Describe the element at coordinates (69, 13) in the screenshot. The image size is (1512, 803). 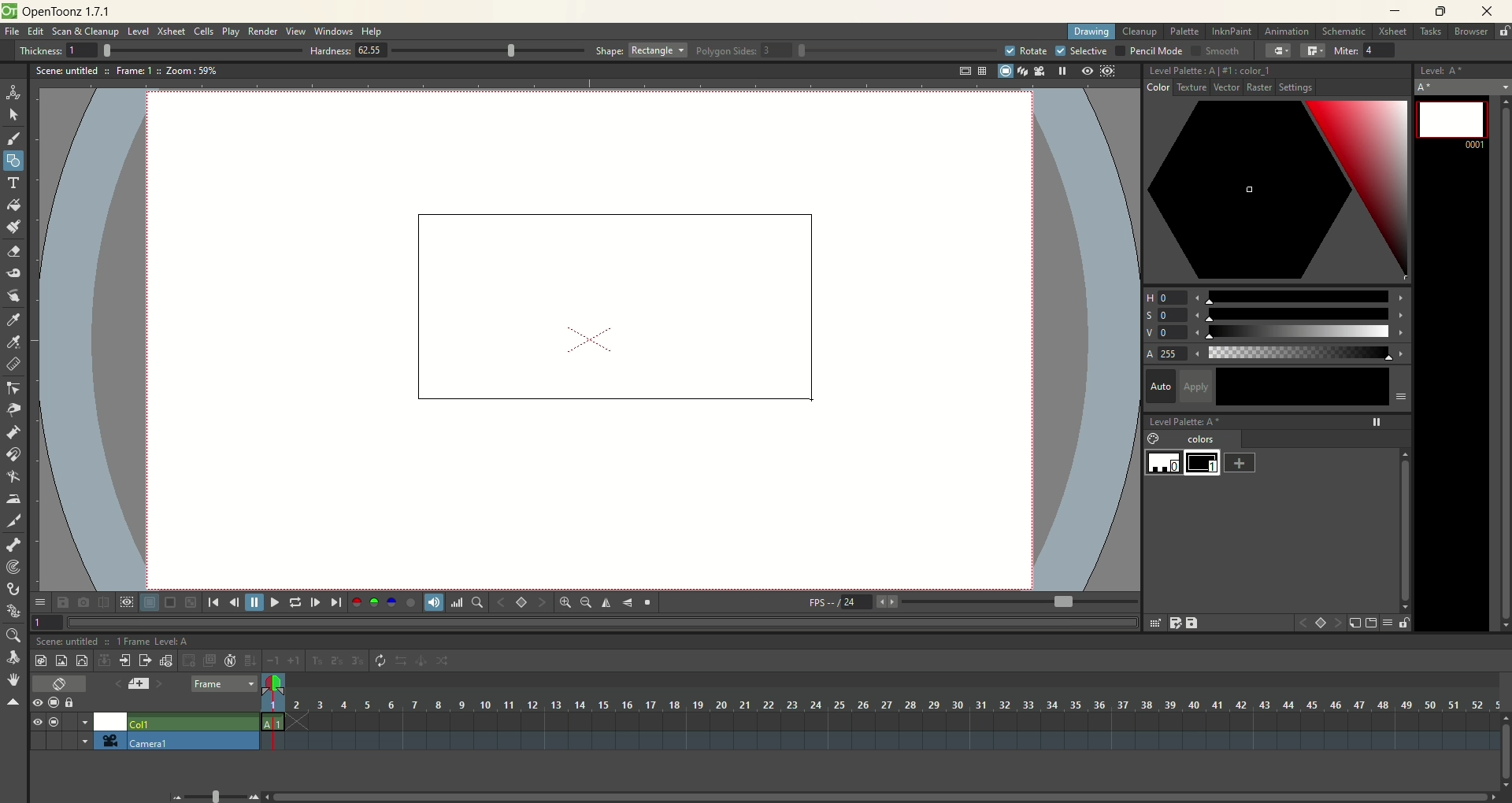
I see `OpenToonz 1.7.1` at that location.